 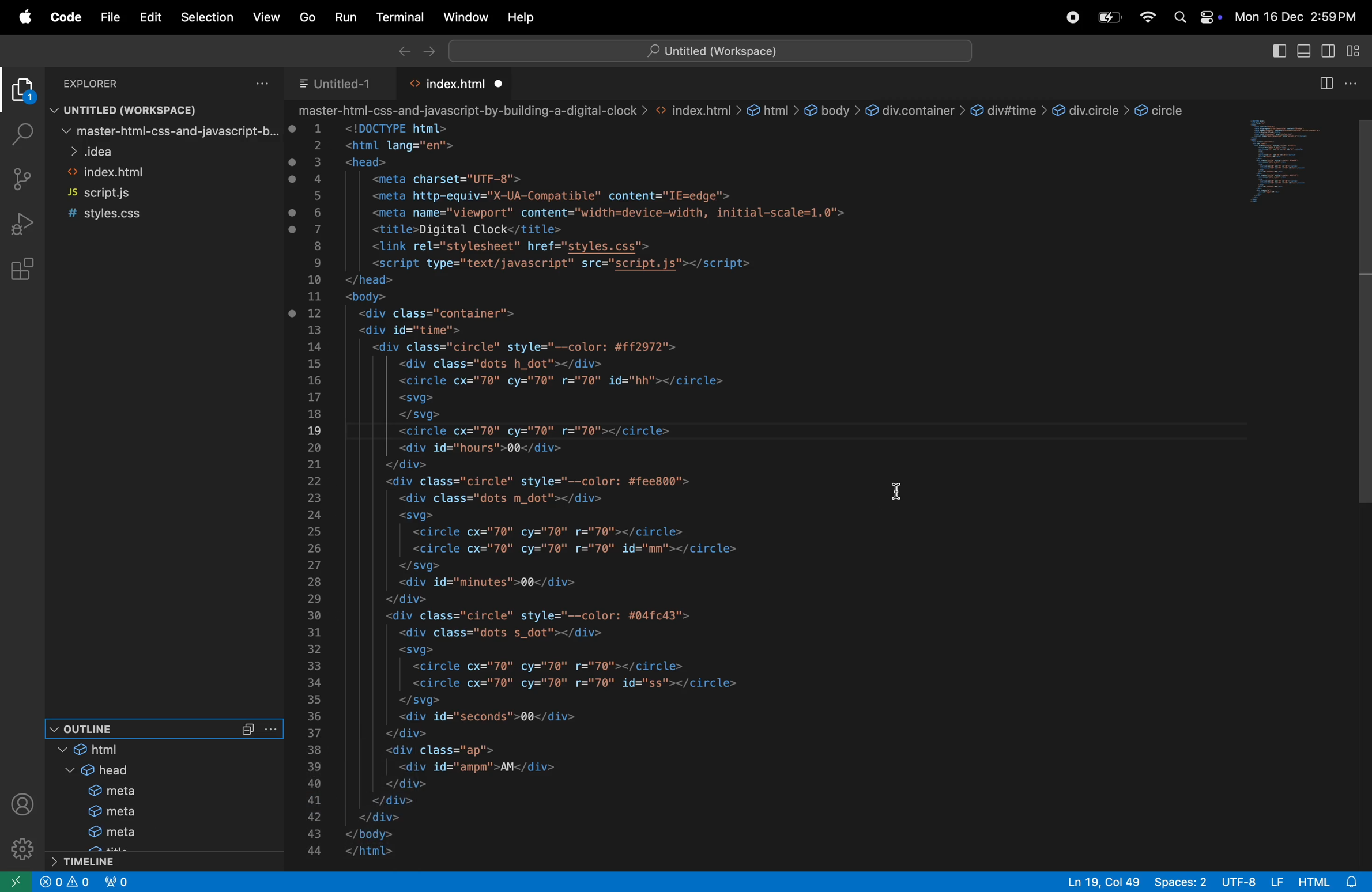 I want to click on options, so click(x=263, y=82).